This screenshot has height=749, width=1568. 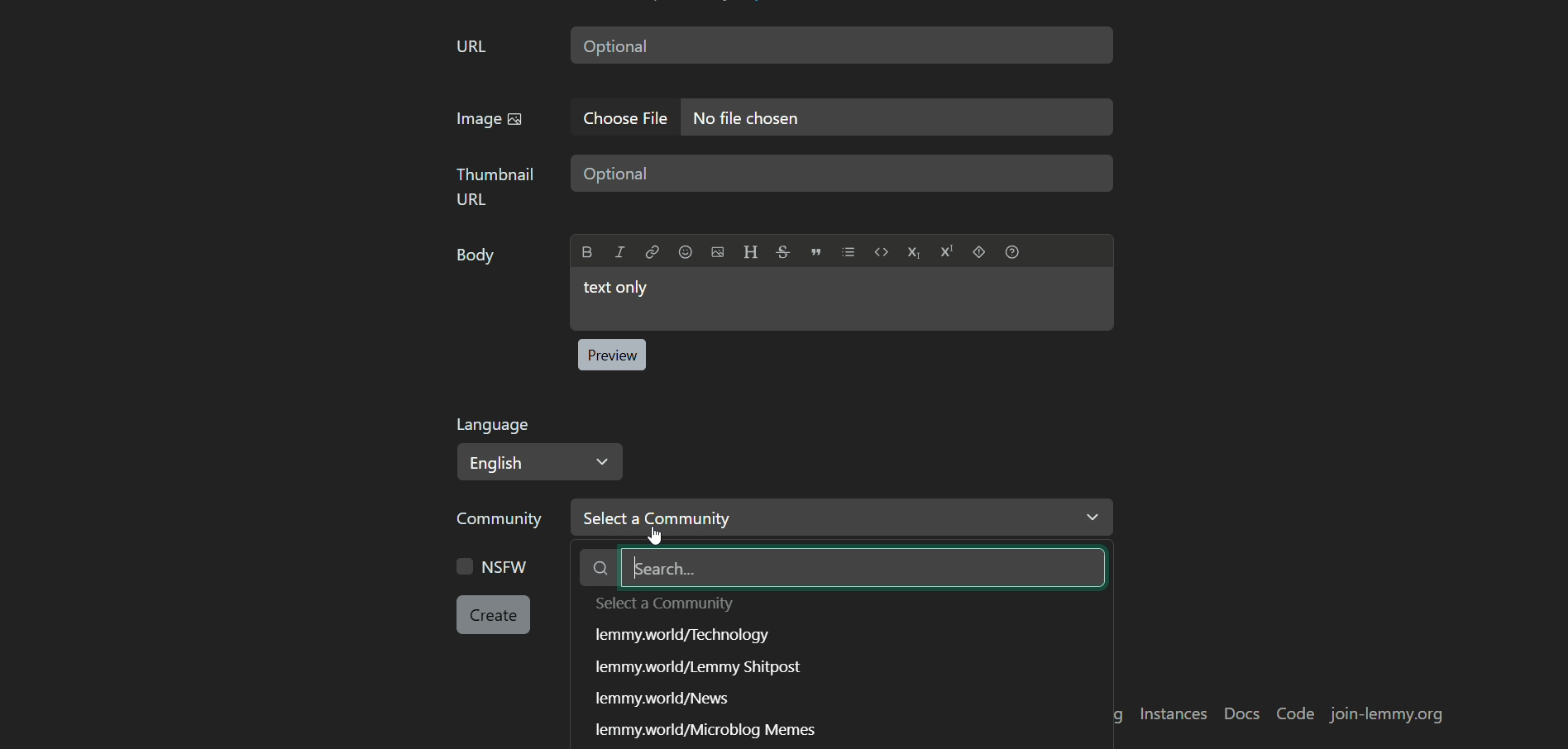 I want to click on Upload image, so click(x=718, y=252).